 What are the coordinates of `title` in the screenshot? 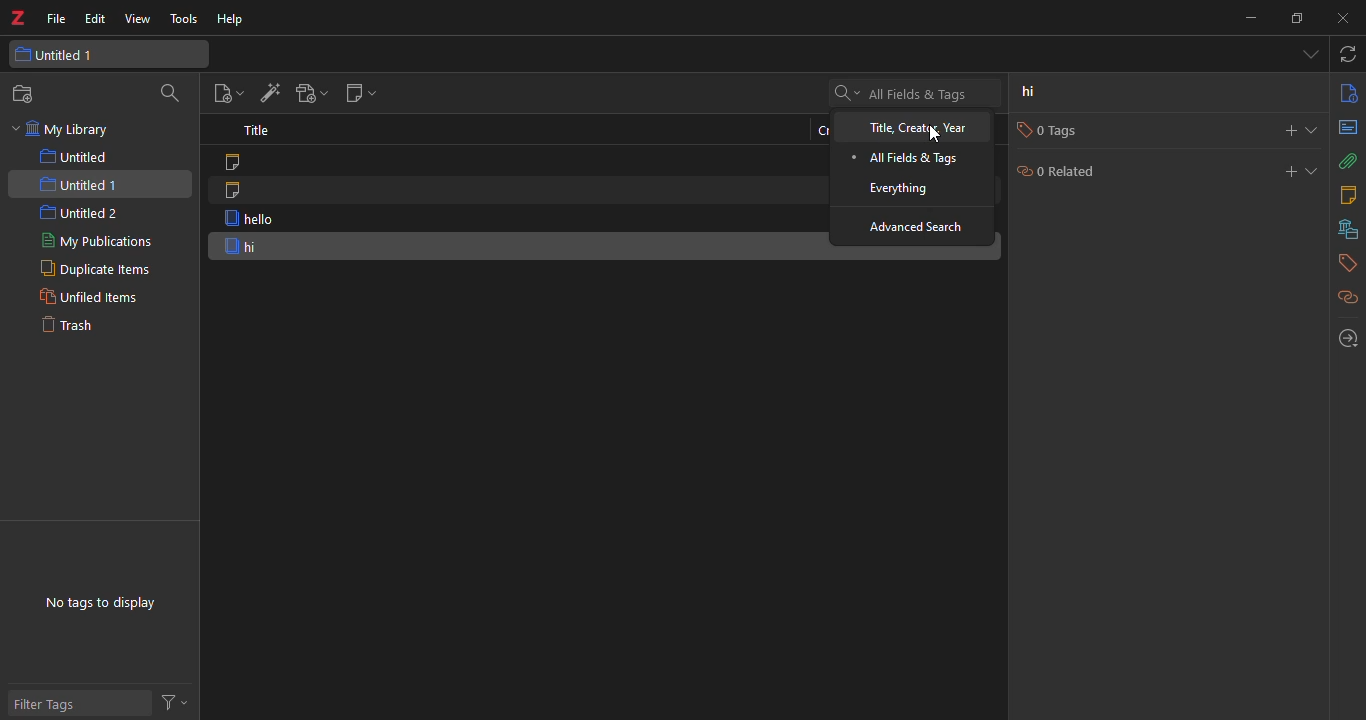 It's located at (257, 131).